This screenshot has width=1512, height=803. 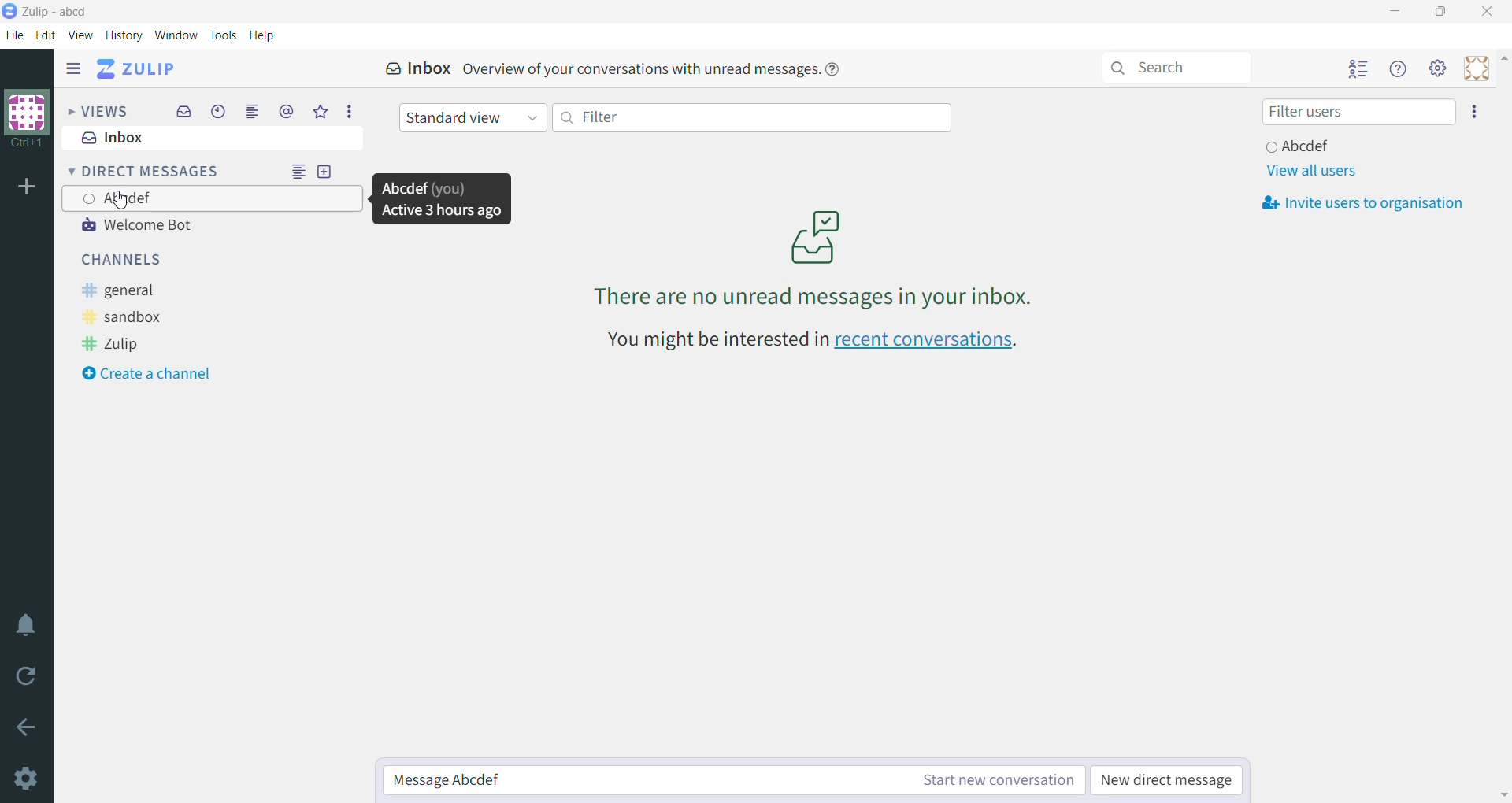 I want to click on Help menu, so click(x=1400, y=68).